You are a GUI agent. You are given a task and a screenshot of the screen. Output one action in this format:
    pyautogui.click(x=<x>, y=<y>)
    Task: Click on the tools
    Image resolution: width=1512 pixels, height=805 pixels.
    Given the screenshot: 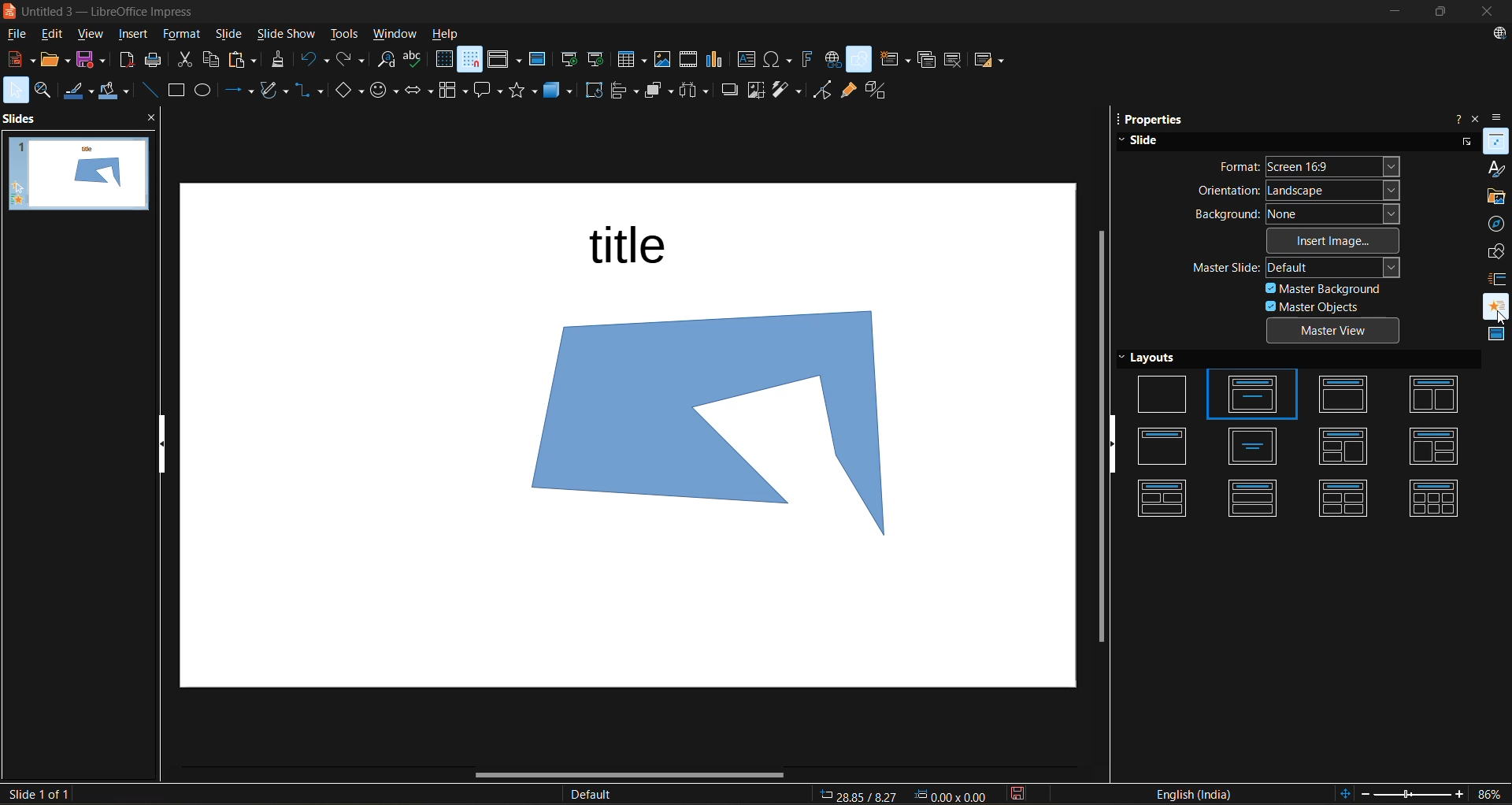 What is the action you would take?
    pyautogui.click(x=350, y=35)
    